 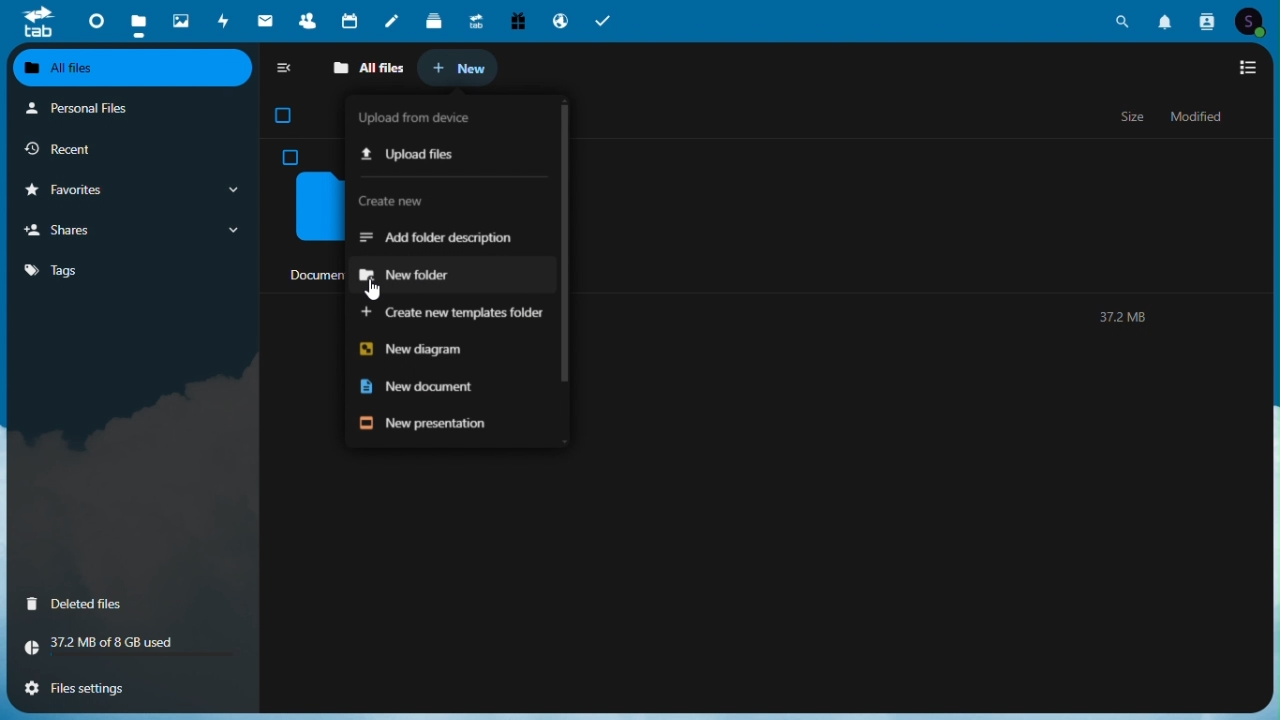 What do you see at coordinates (428, 119) in the screenshot?
I see `Load from device` at bounding box center [428, 119].